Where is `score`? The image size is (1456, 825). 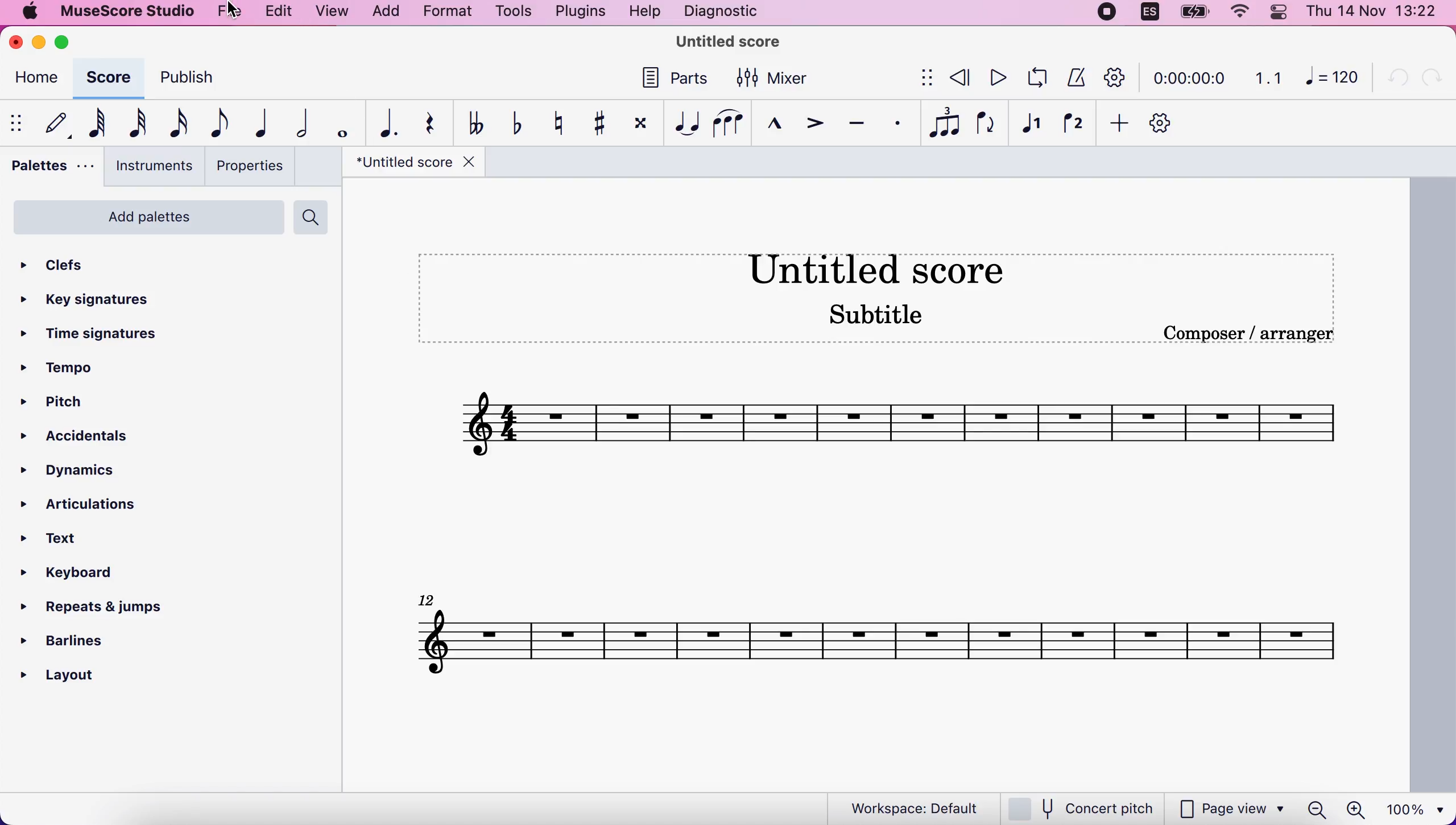 score is located at coordinates (108, 79).